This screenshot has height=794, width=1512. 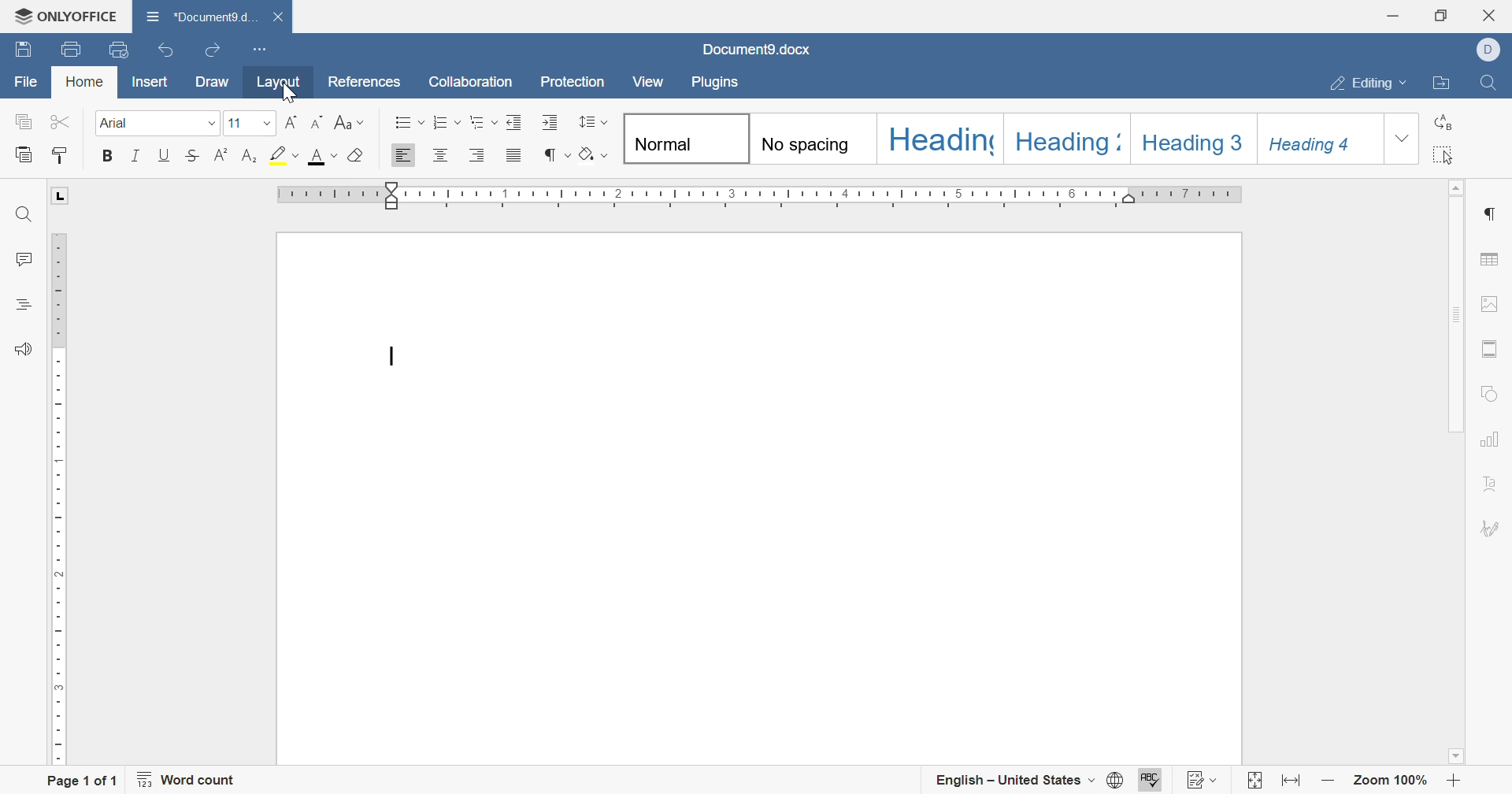 What do you see at coordinates (61, 155) in the screenshot?
I see `copy style` at bounding box center [61, 155].